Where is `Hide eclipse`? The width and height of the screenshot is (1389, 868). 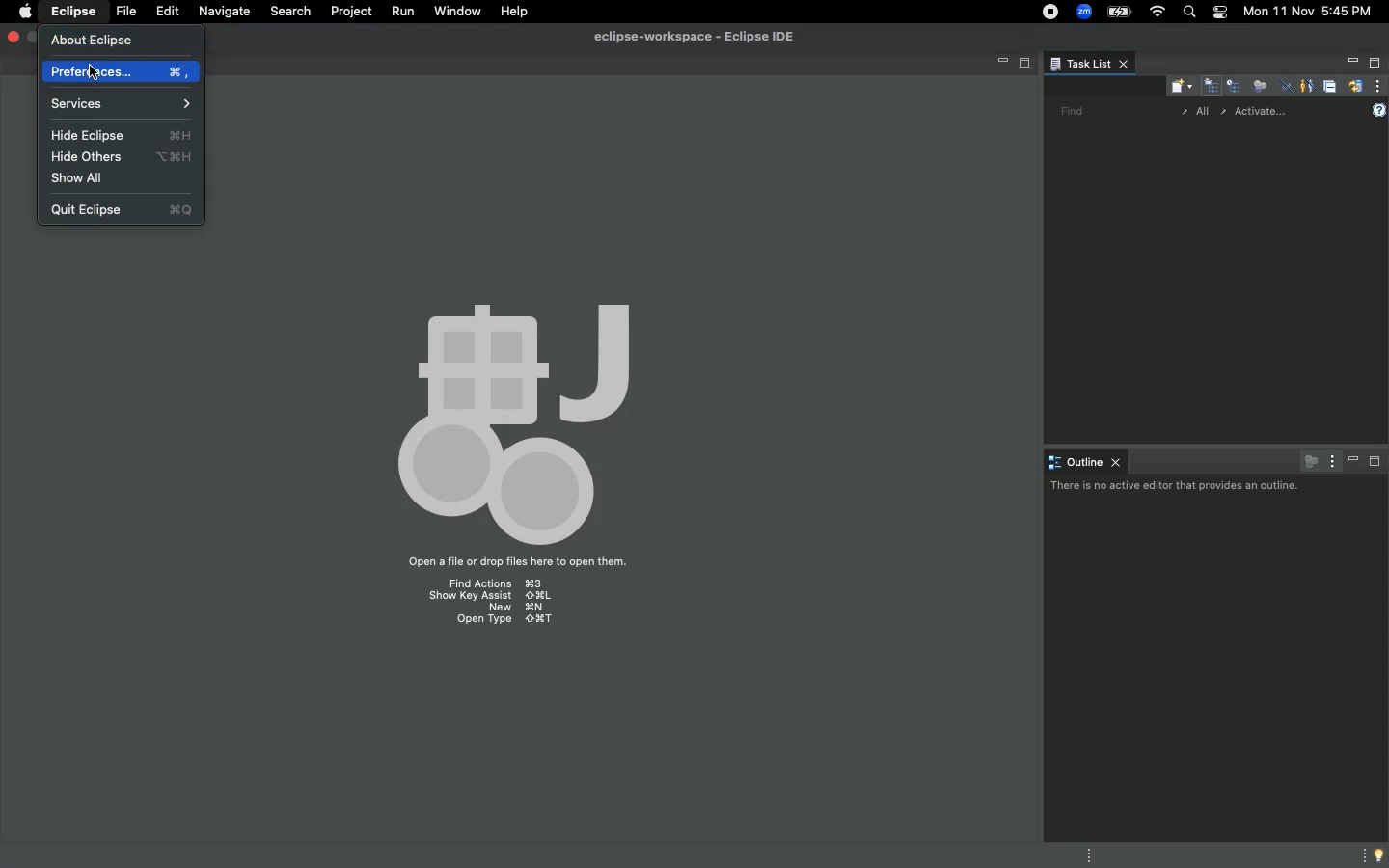
Hide eclipse is located at coordinates (123, 135).